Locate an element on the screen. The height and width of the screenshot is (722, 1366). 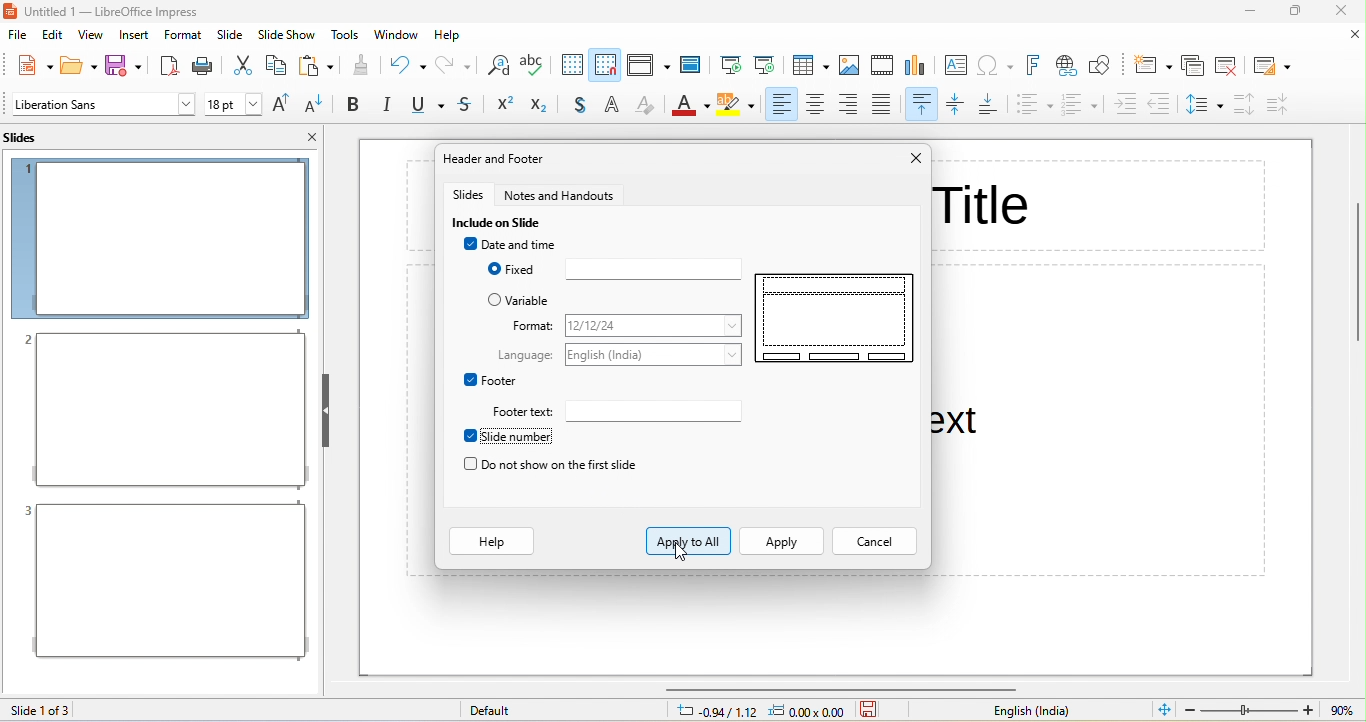
header and footer is located at coordinates (508, 160).